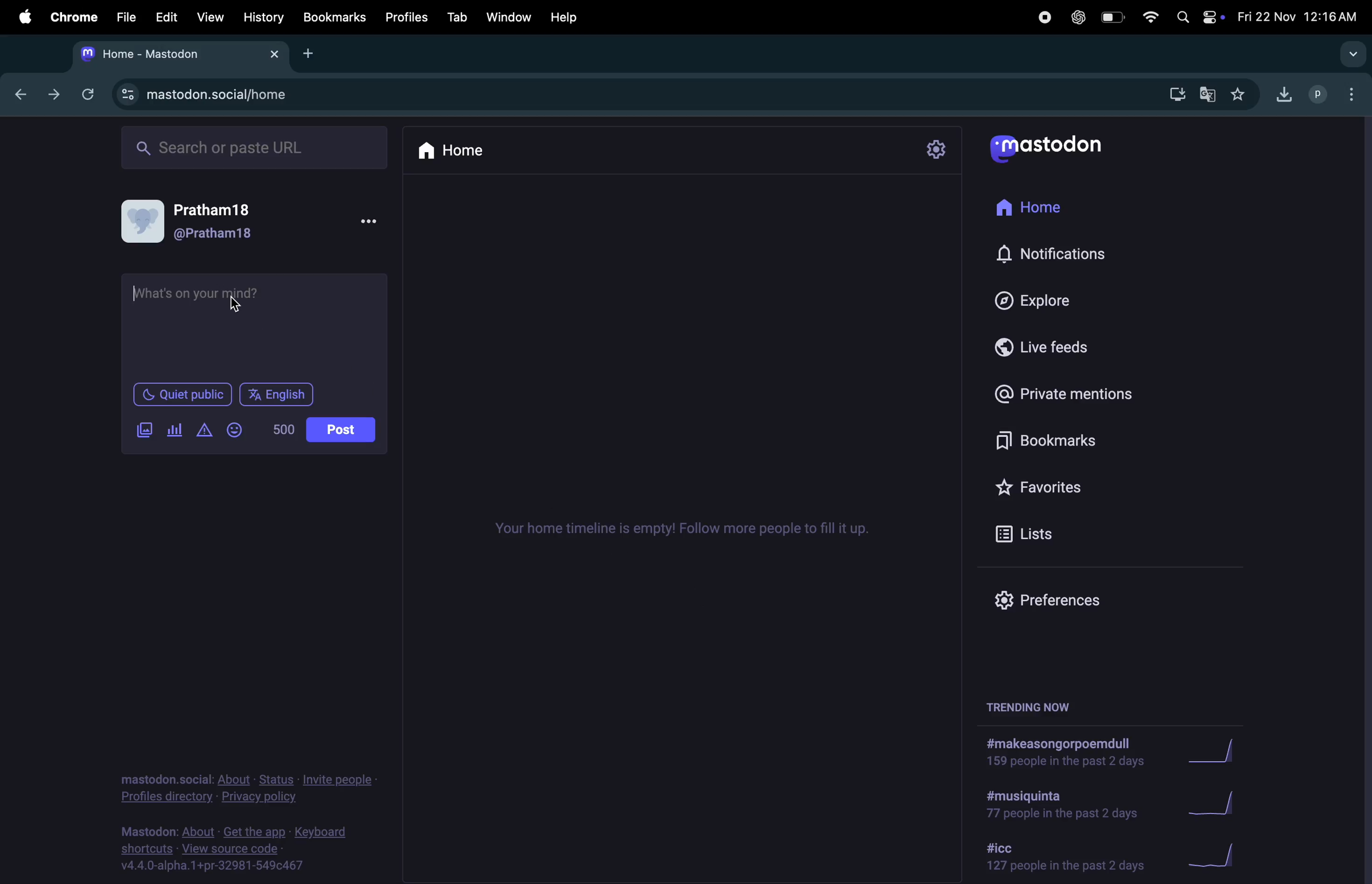 The height and width of the screenshot is (884, 1372). I want to click on profiles, so click(406, 18).